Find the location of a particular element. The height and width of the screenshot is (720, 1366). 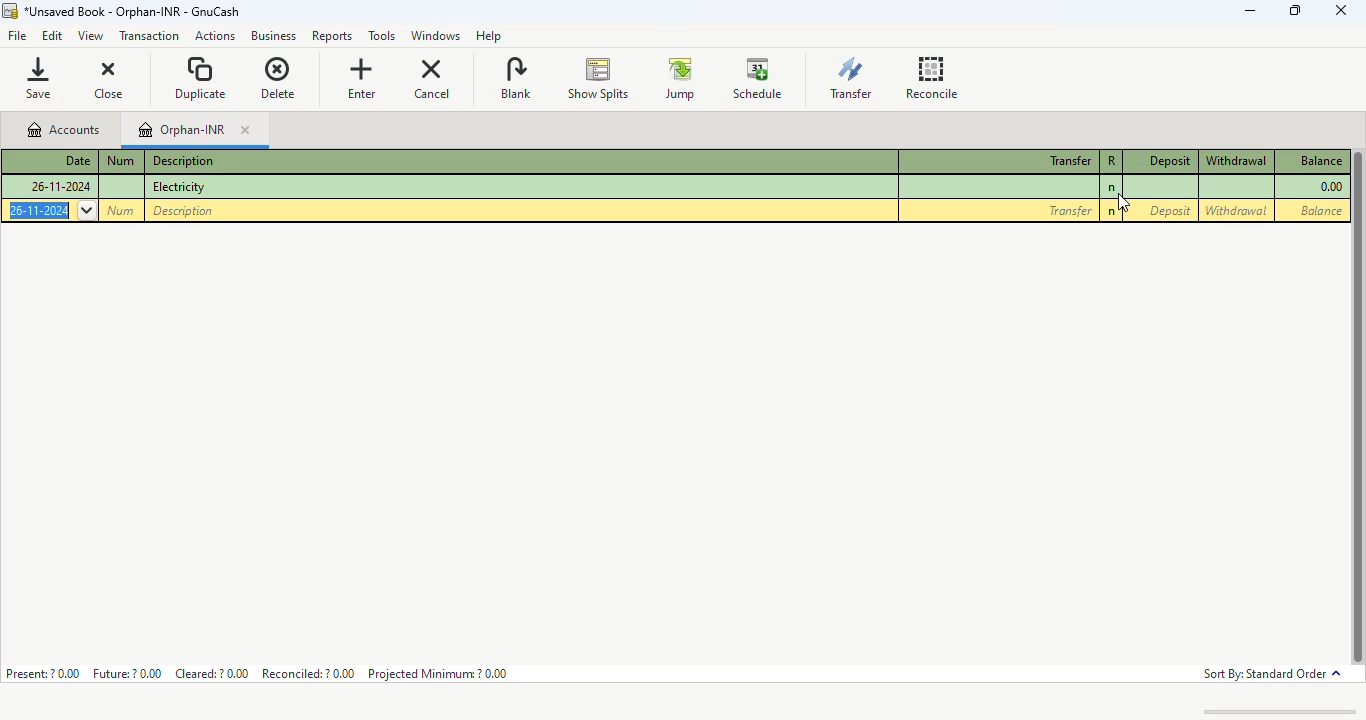

reports is located at coordinates (335, 37).